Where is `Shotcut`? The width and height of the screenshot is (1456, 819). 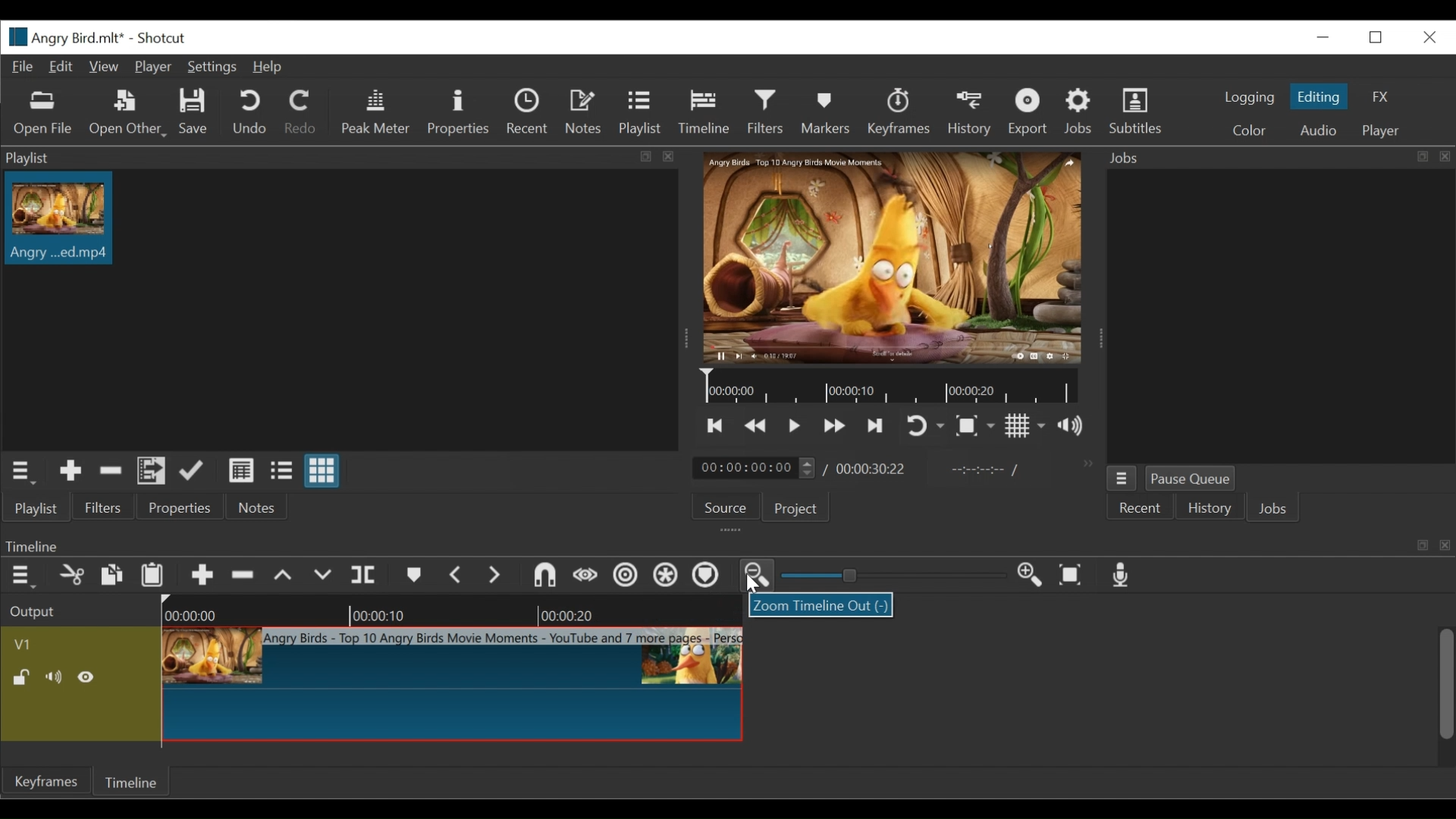
Shotcut is located at coordinates (161, 38).